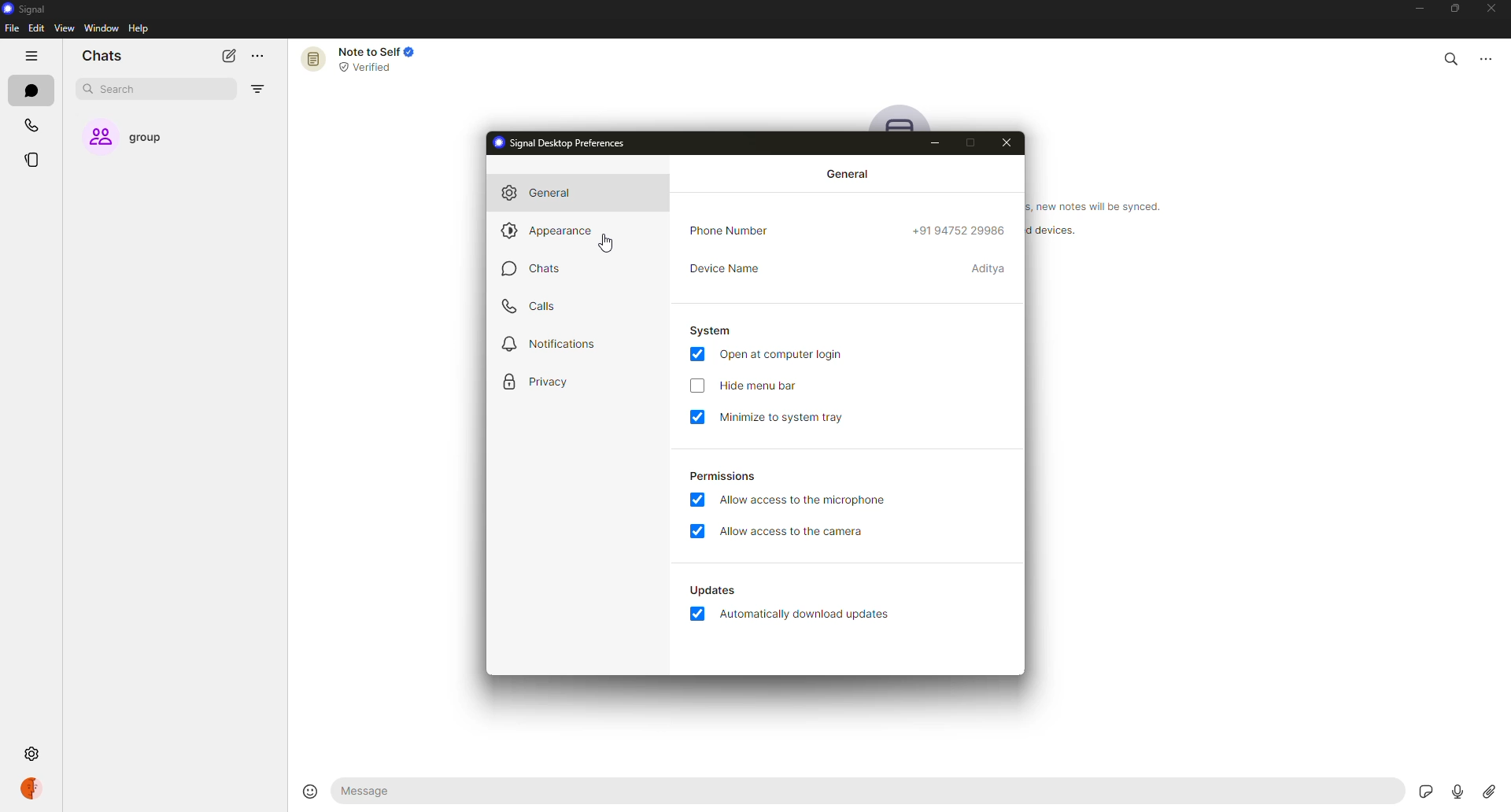 Image resolution: width=1511 pixels, height=812 pixels. What do you see at coordinates (564, 142) in the screenshot?
I see `desktop preferences` at bounding box center [564, 142].